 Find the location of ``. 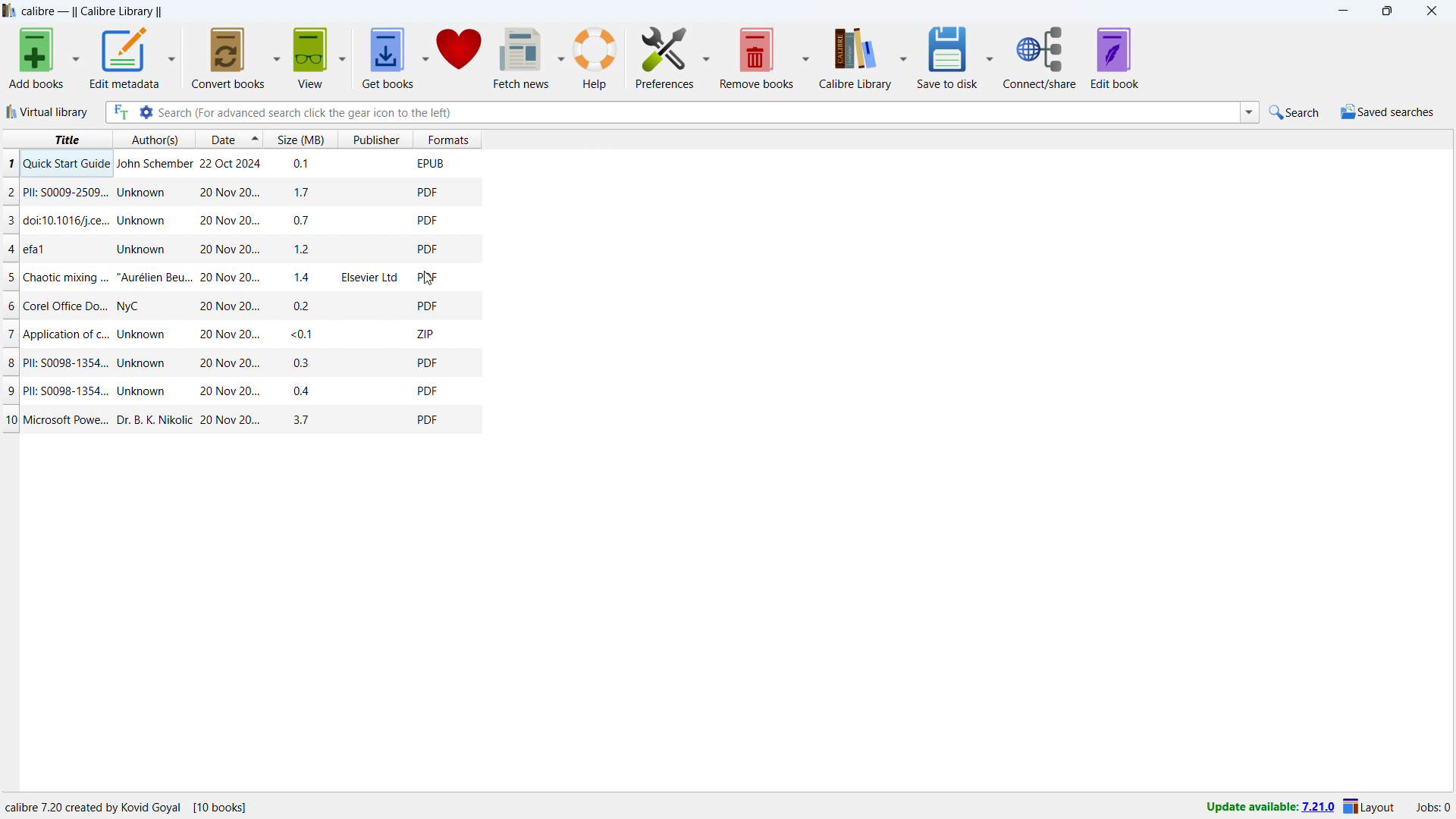

 is located at coordinates (460, 56).